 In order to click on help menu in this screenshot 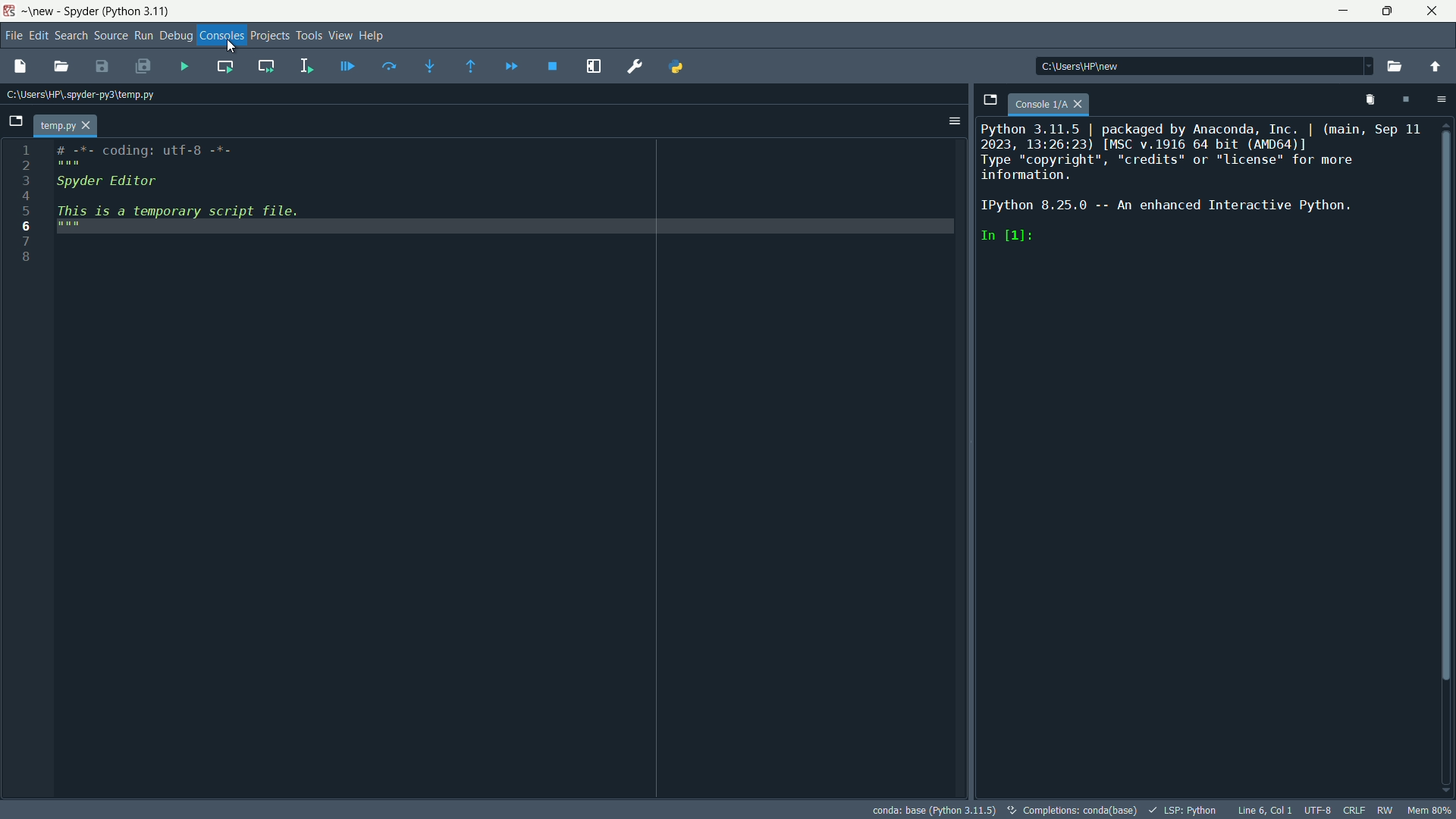, I will do `click(373, 36)`.